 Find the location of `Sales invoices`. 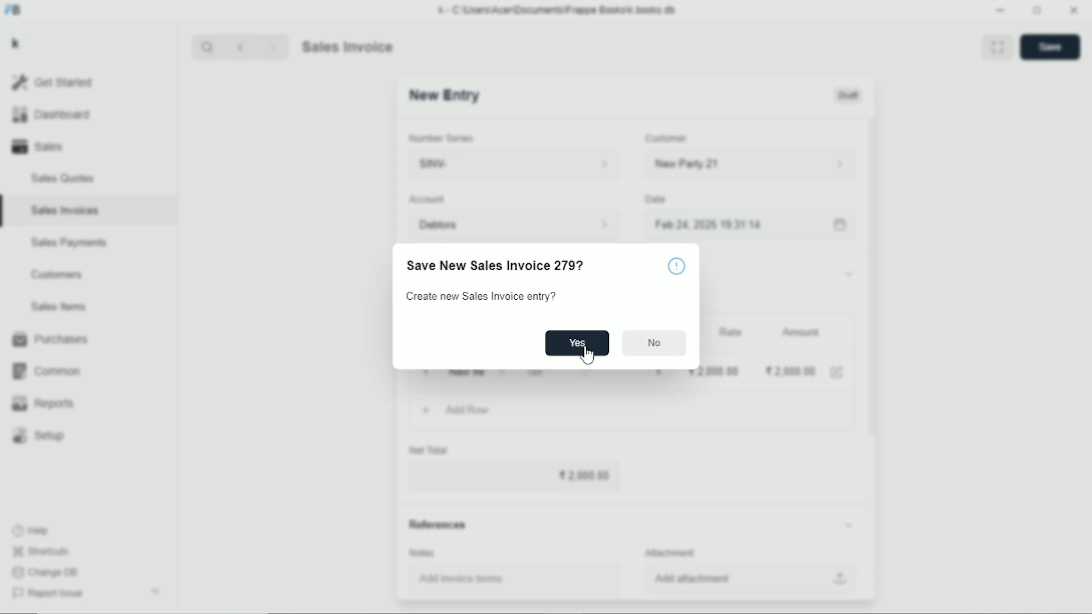

Sales invoices is located at coordinates (64, 210).